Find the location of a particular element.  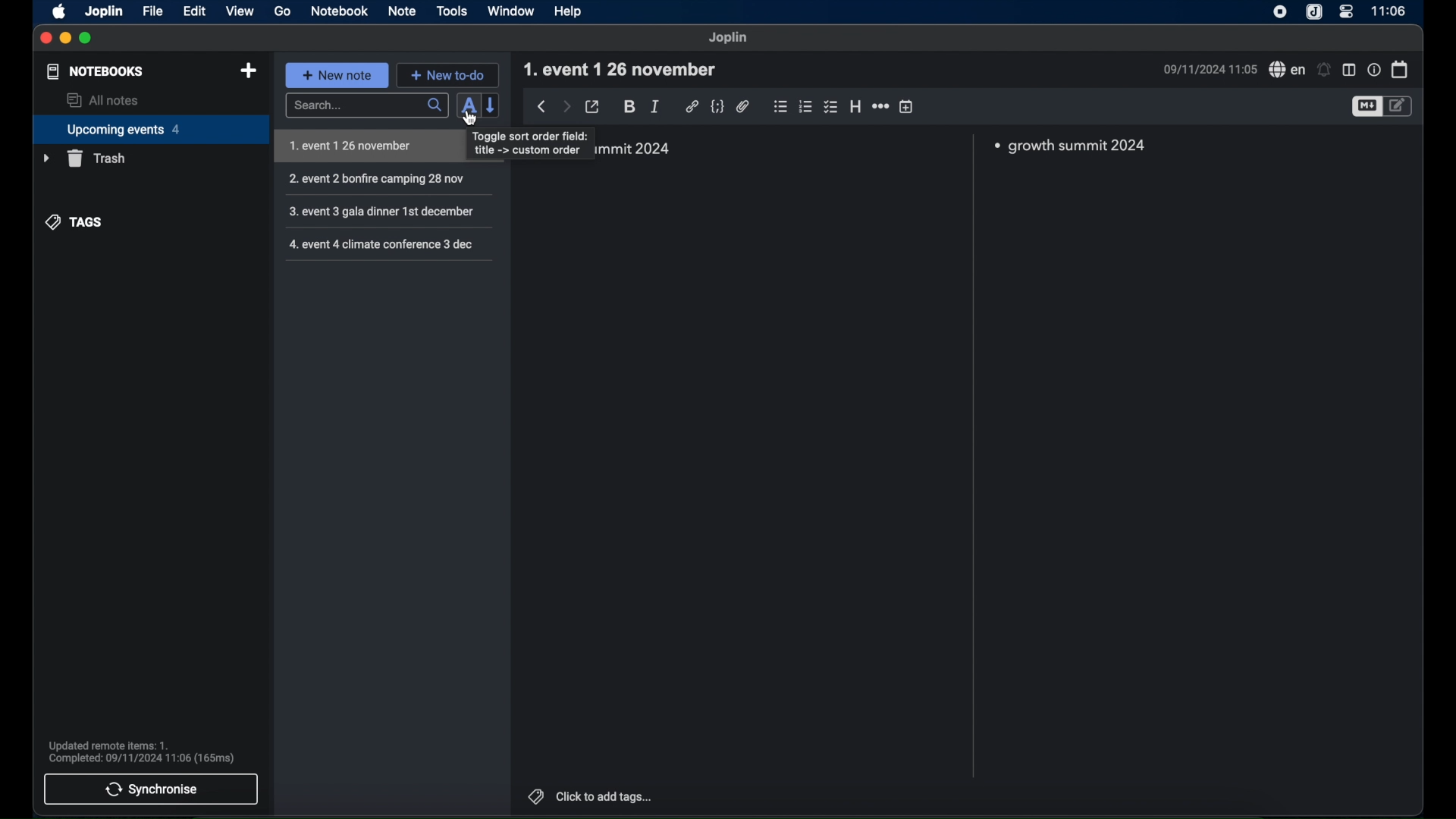

3. event 3 gala dinner 1st december is located at coordinates (383, 213).